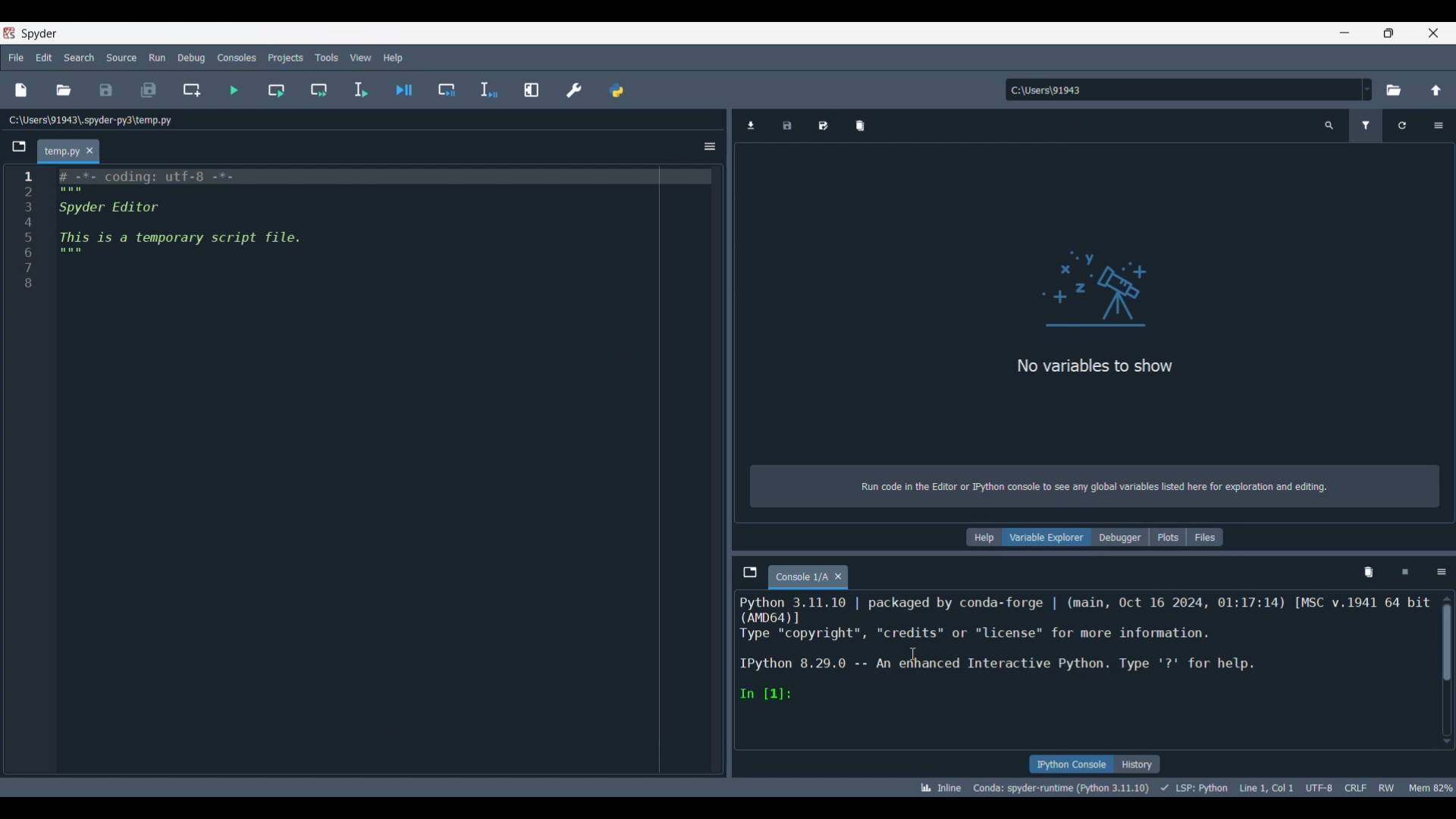 Image resolution: width=1456 pixels, height=819 pixels. Describe the element at coordinates (64, 90) in the screenshot. I see `Open file` at that location.